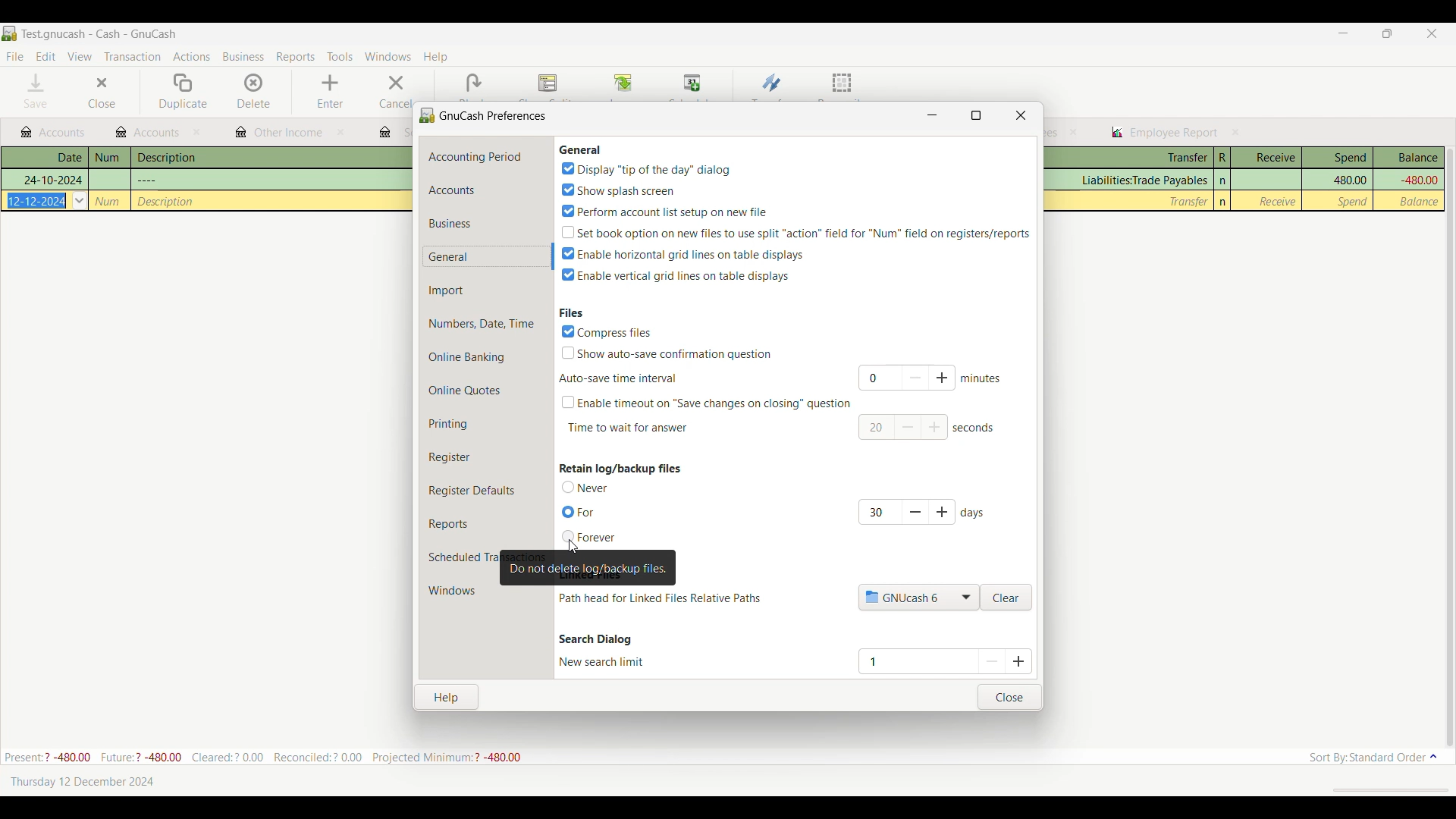 This screenshot has height=819, width=1456. I want to click on , so click(148, 179).